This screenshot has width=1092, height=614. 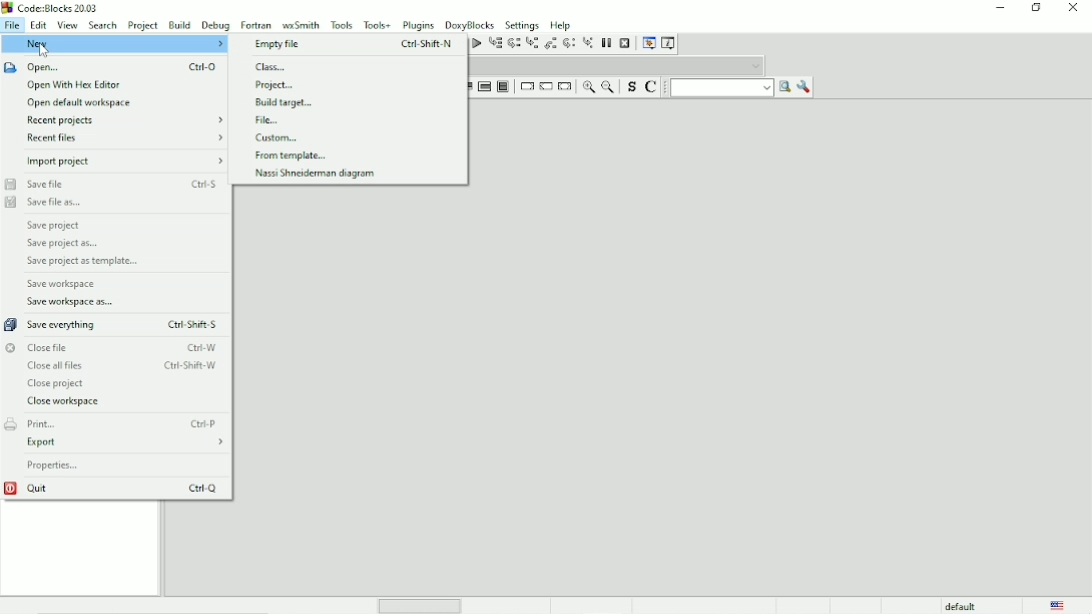 What do you see at coordinates (484, 87) in the screenshot?
I see `Counting loop` at bounding box center [484, 87].